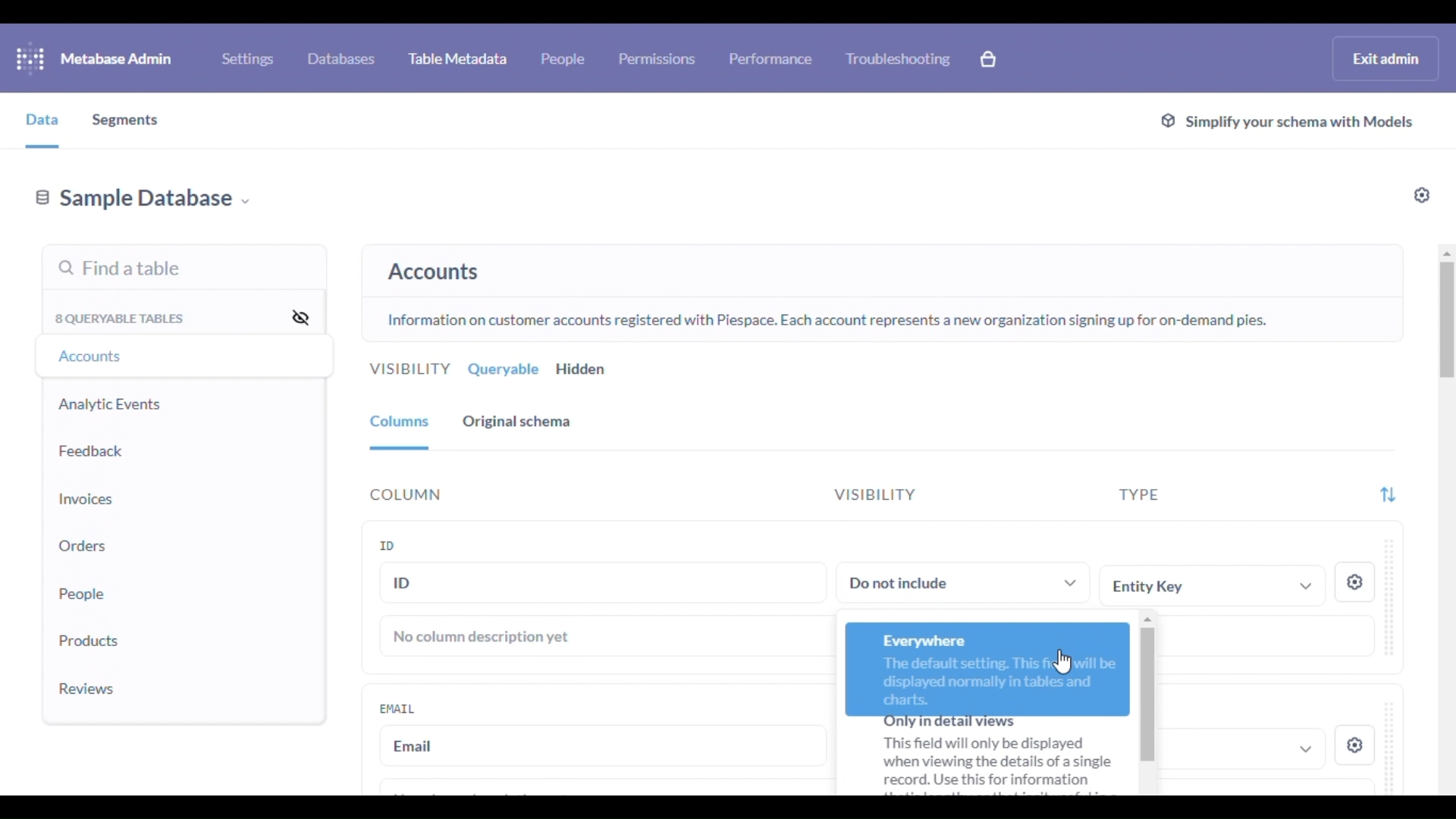 This screenshot has width=1456, height=819. I want to click on accounts, so click(434, 272).